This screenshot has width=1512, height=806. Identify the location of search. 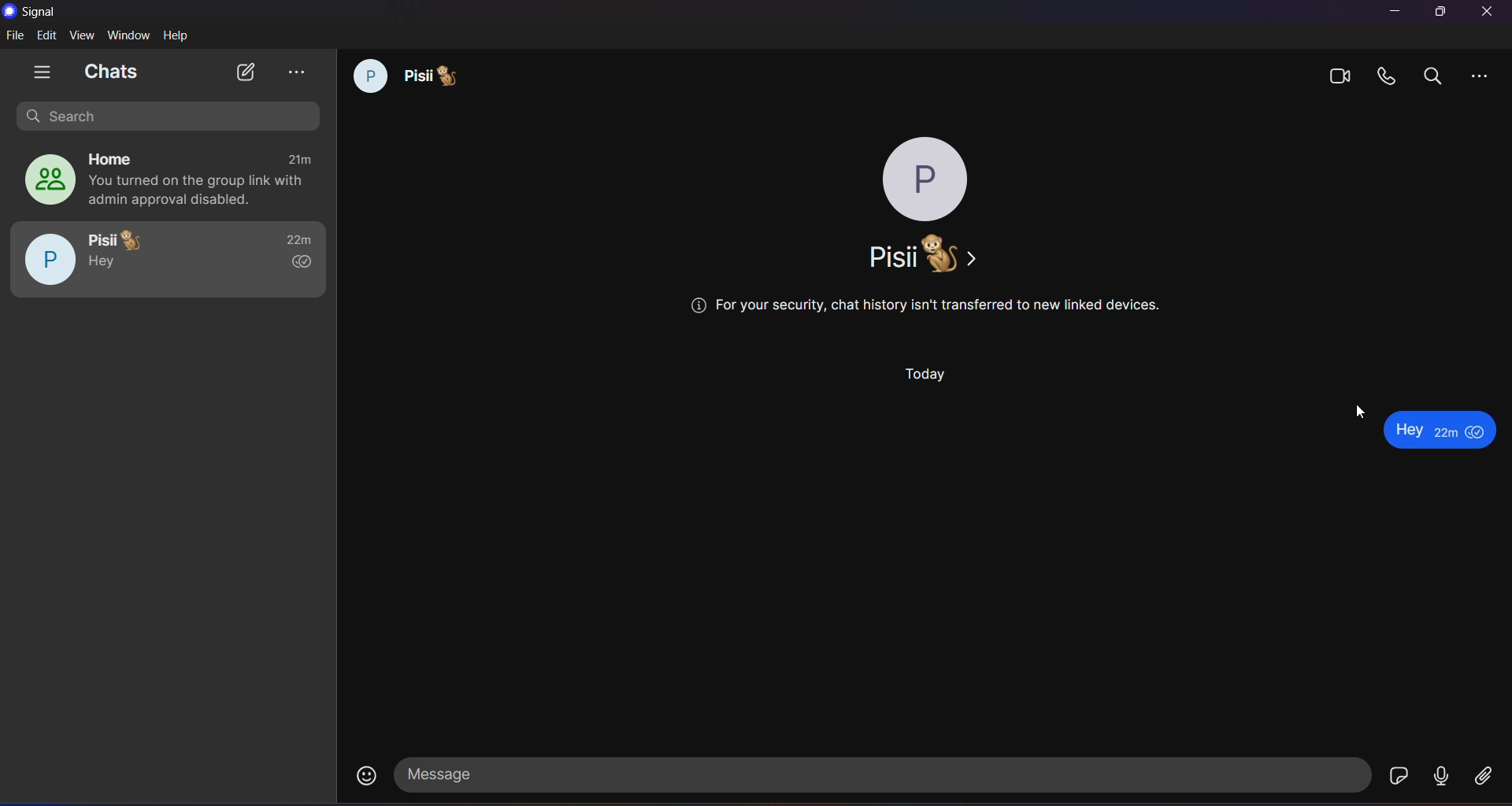
(1436, 75).